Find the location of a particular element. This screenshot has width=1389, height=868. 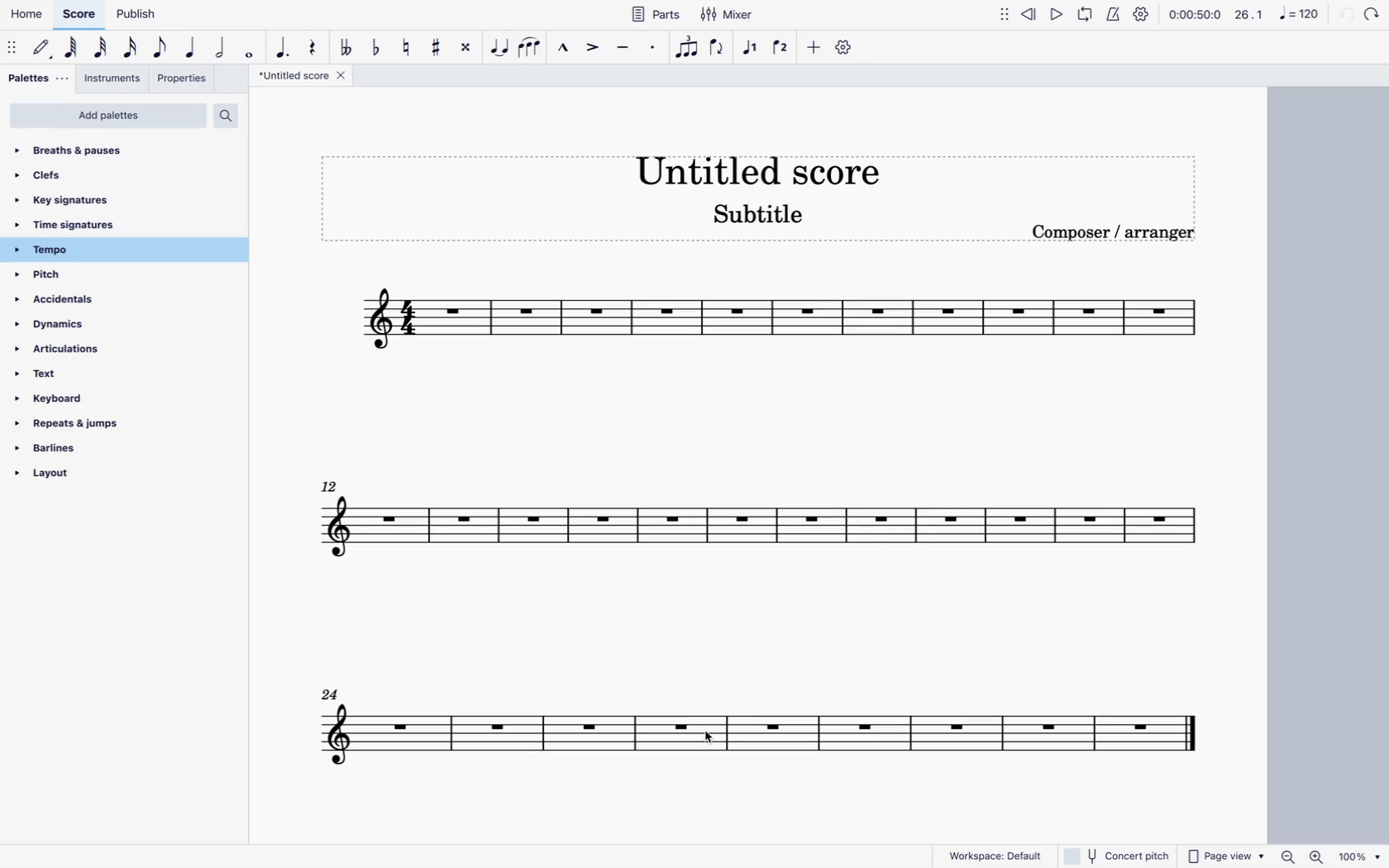

default is located at coordinates (43, 46).